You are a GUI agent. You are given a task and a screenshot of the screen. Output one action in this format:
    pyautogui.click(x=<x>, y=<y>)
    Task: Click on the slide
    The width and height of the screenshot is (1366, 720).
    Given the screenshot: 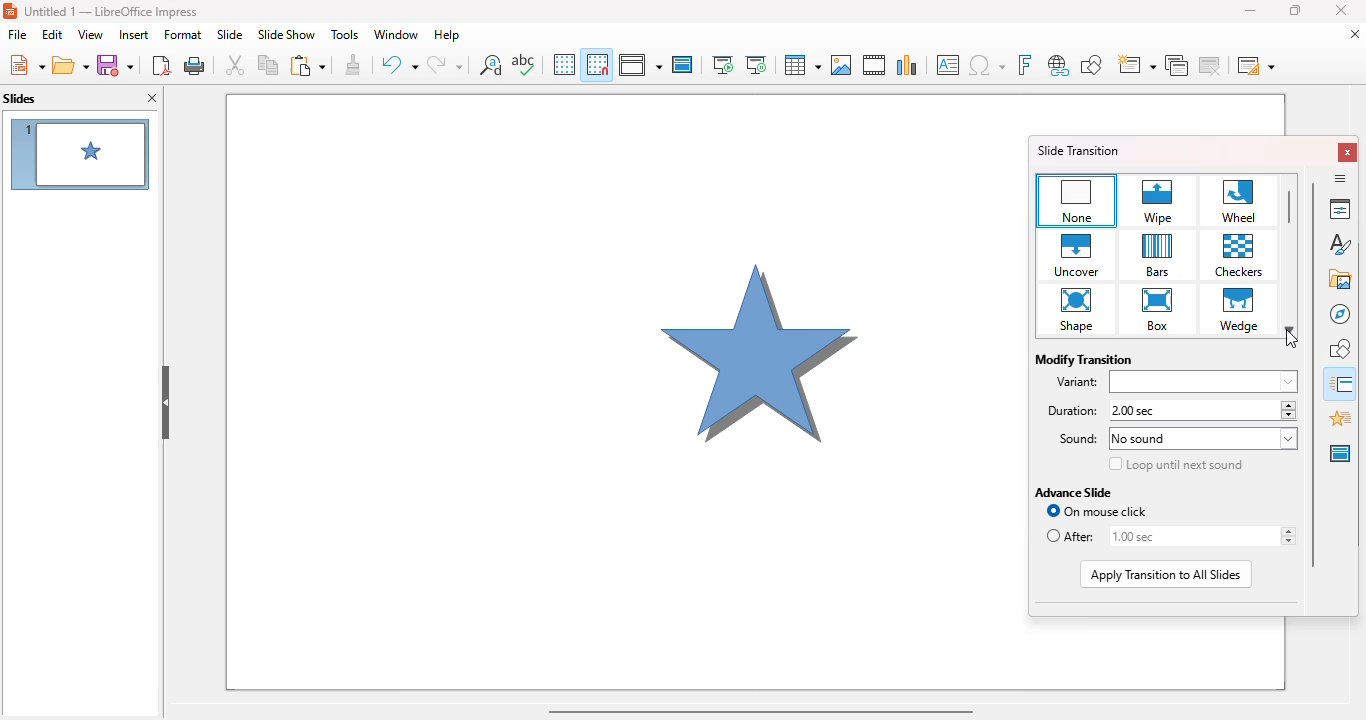 What is the action you would take?
    pyautogui.click(x=229, y=35)
    